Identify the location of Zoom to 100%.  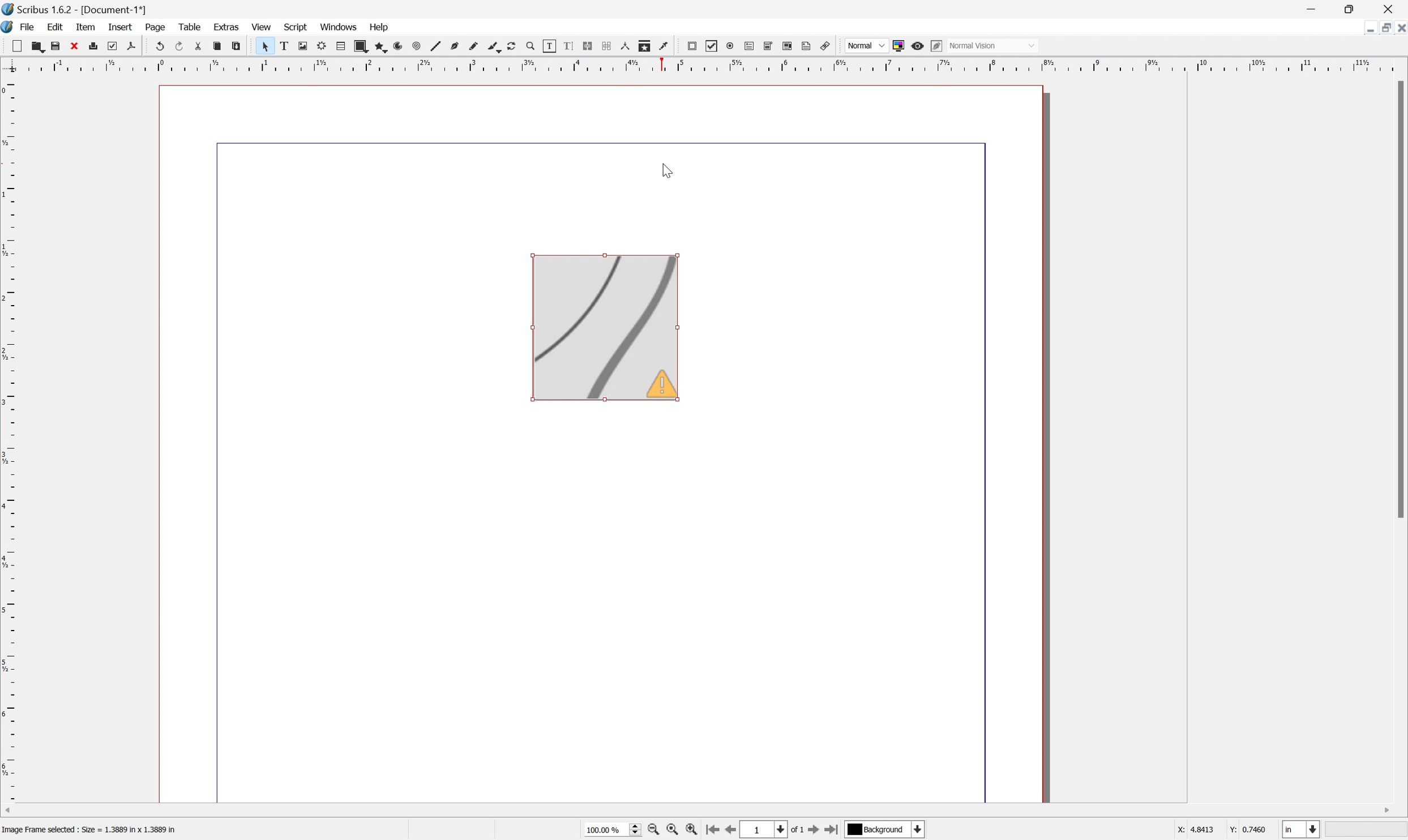
(672, 830).